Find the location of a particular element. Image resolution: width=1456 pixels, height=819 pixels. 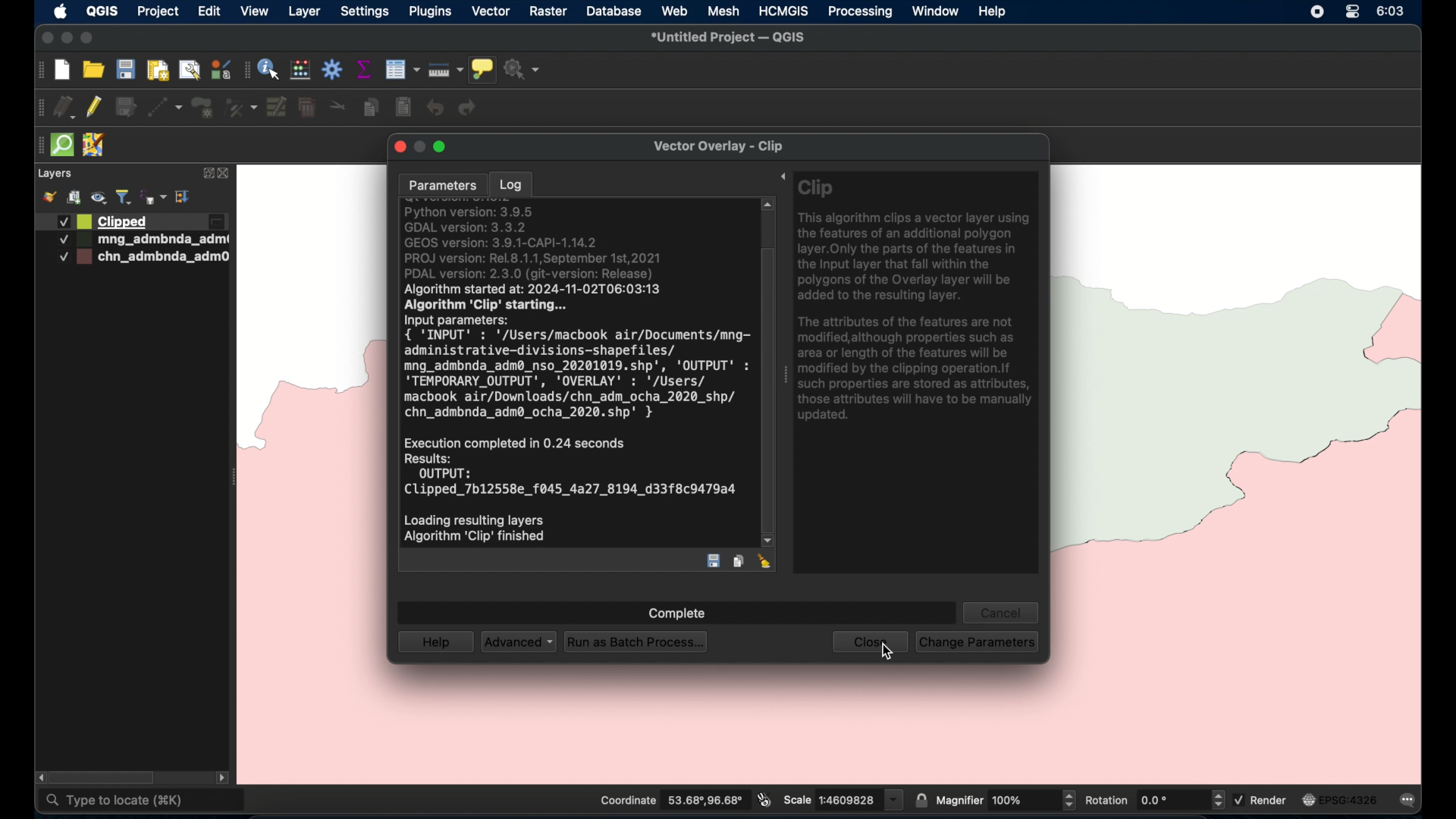

show map tips is located at coordinates (482, 70).